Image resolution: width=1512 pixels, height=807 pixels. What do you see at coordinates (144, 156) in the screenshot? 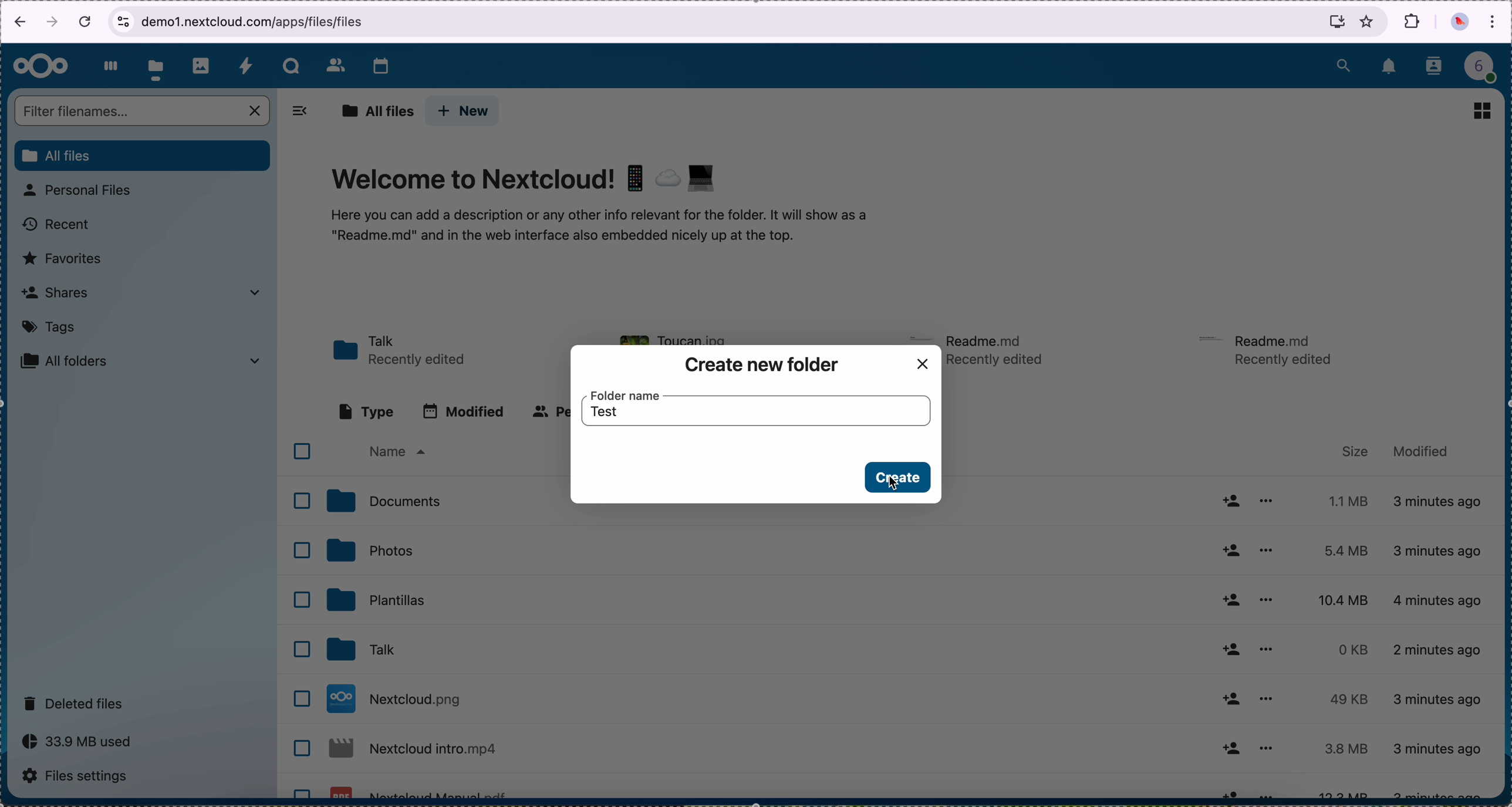
I see `all files button` at bounding box center [144, 156].